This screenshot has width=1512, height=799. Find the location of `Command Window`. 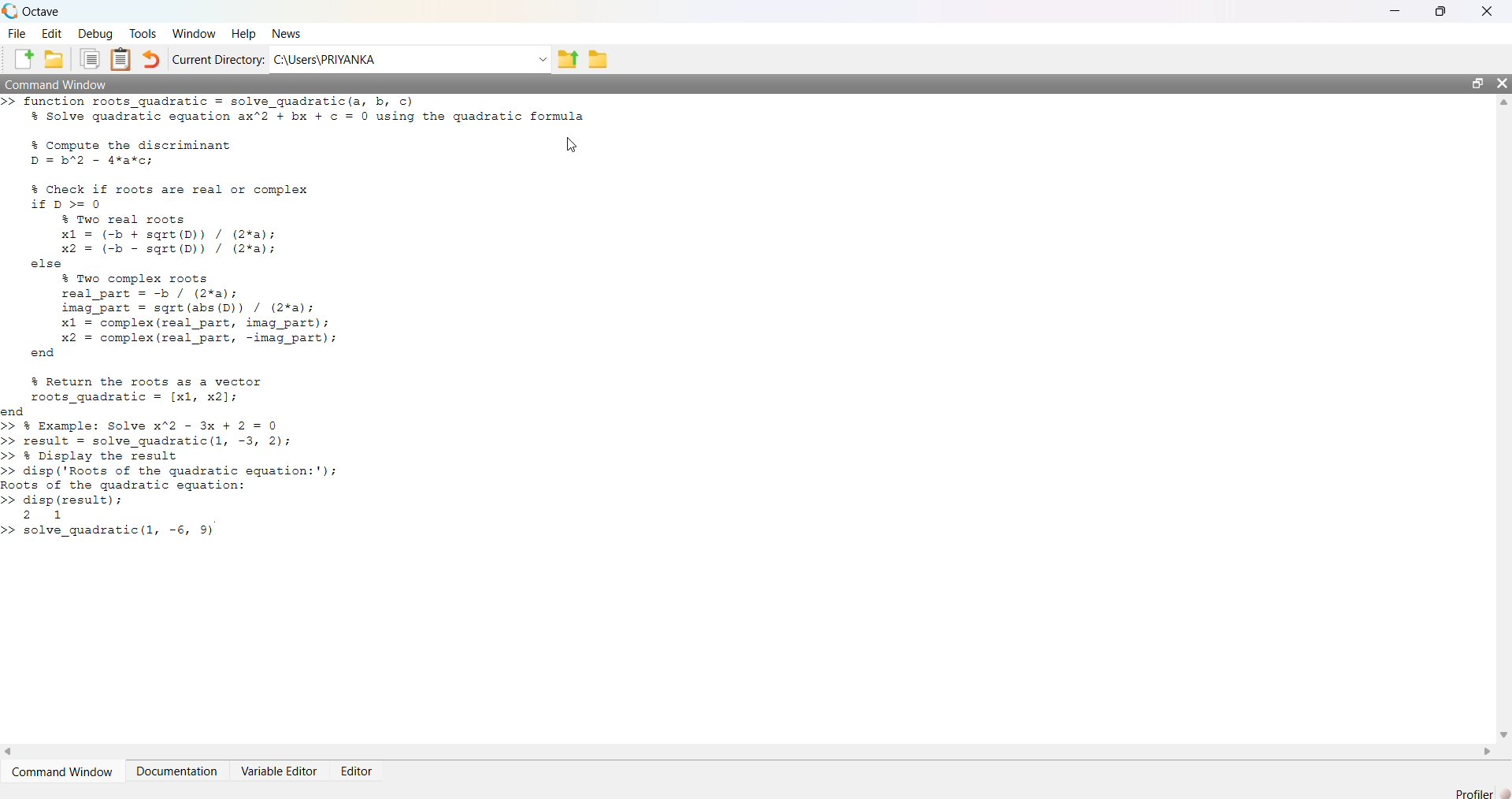

Command Window is located at coordinates (65, 771).